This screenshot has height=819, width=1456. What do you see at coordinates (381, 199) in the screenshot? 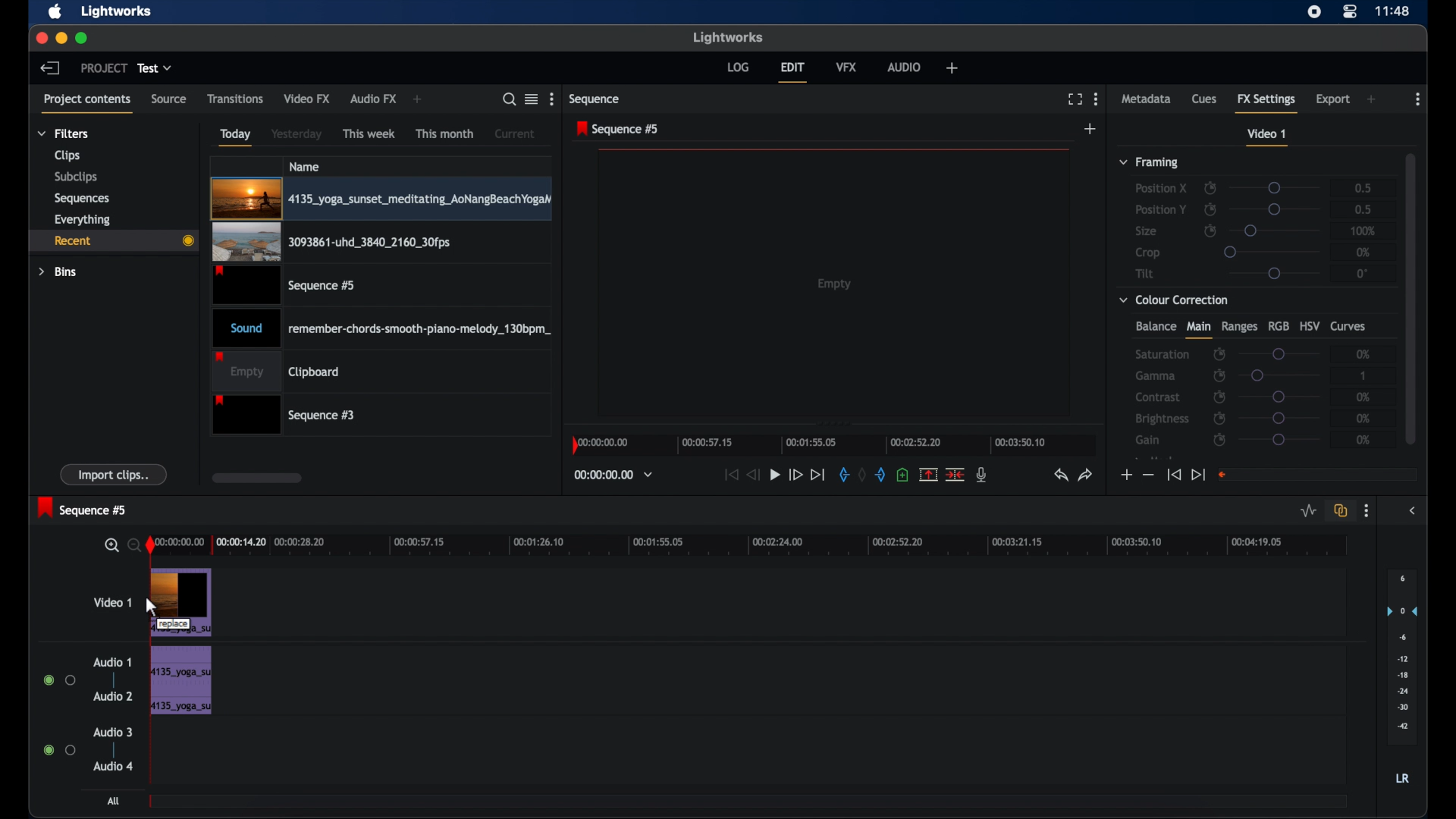
I see `video clip highlighted` at bounding box center [381, 199].